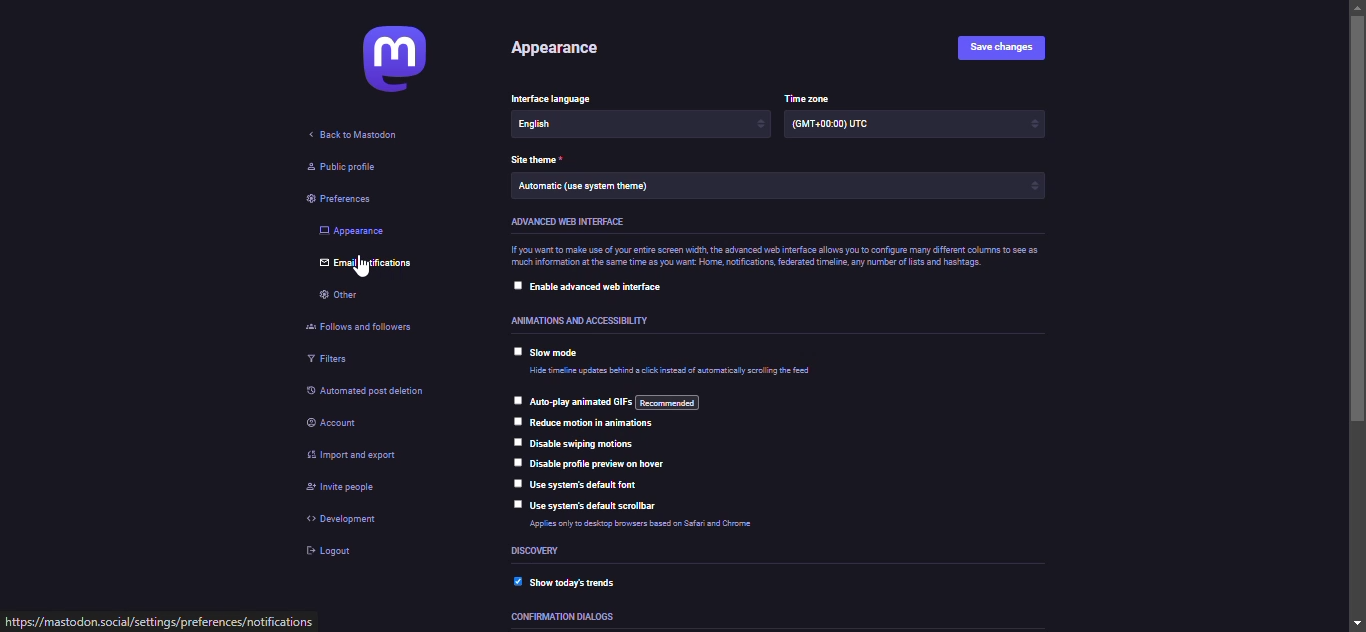 The height and width of the screenshot is (632, 1366). I want to click on development, so click(347, 519).